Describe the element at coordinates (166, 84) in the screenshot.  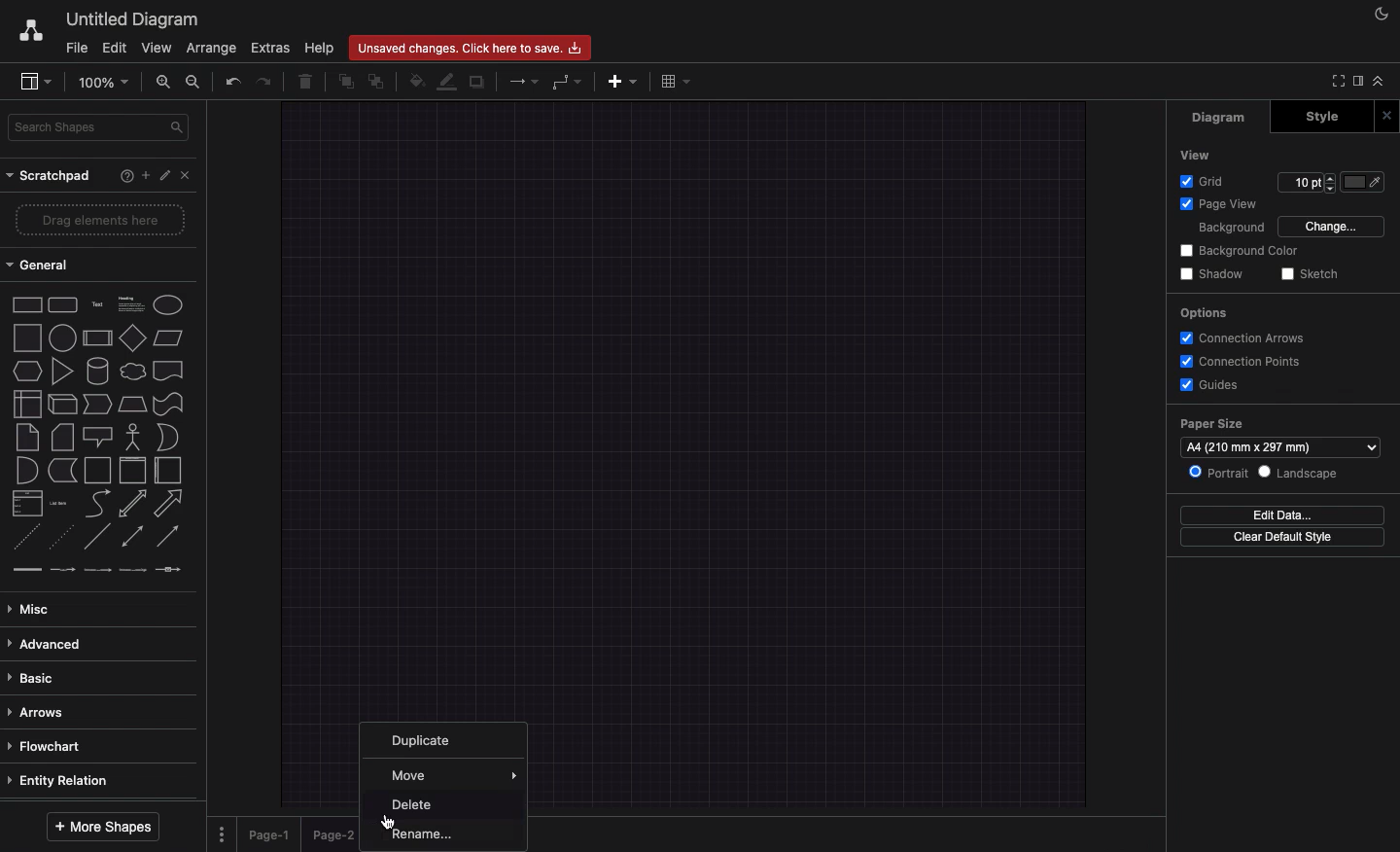
I see `Zoom in` at that location.